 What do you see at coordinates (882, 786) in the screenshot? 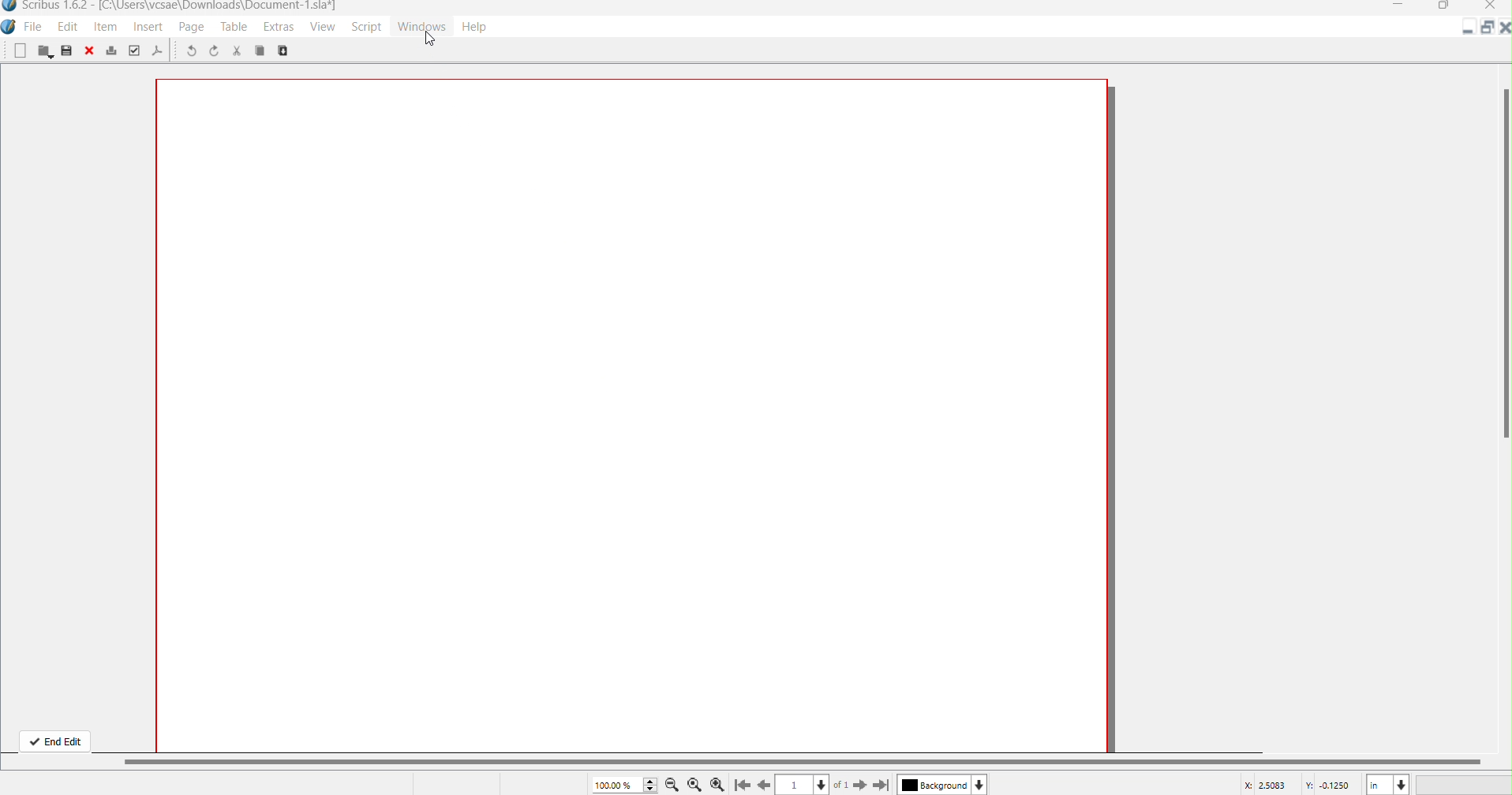
I see `go to end` at bounding box center [882, 786].